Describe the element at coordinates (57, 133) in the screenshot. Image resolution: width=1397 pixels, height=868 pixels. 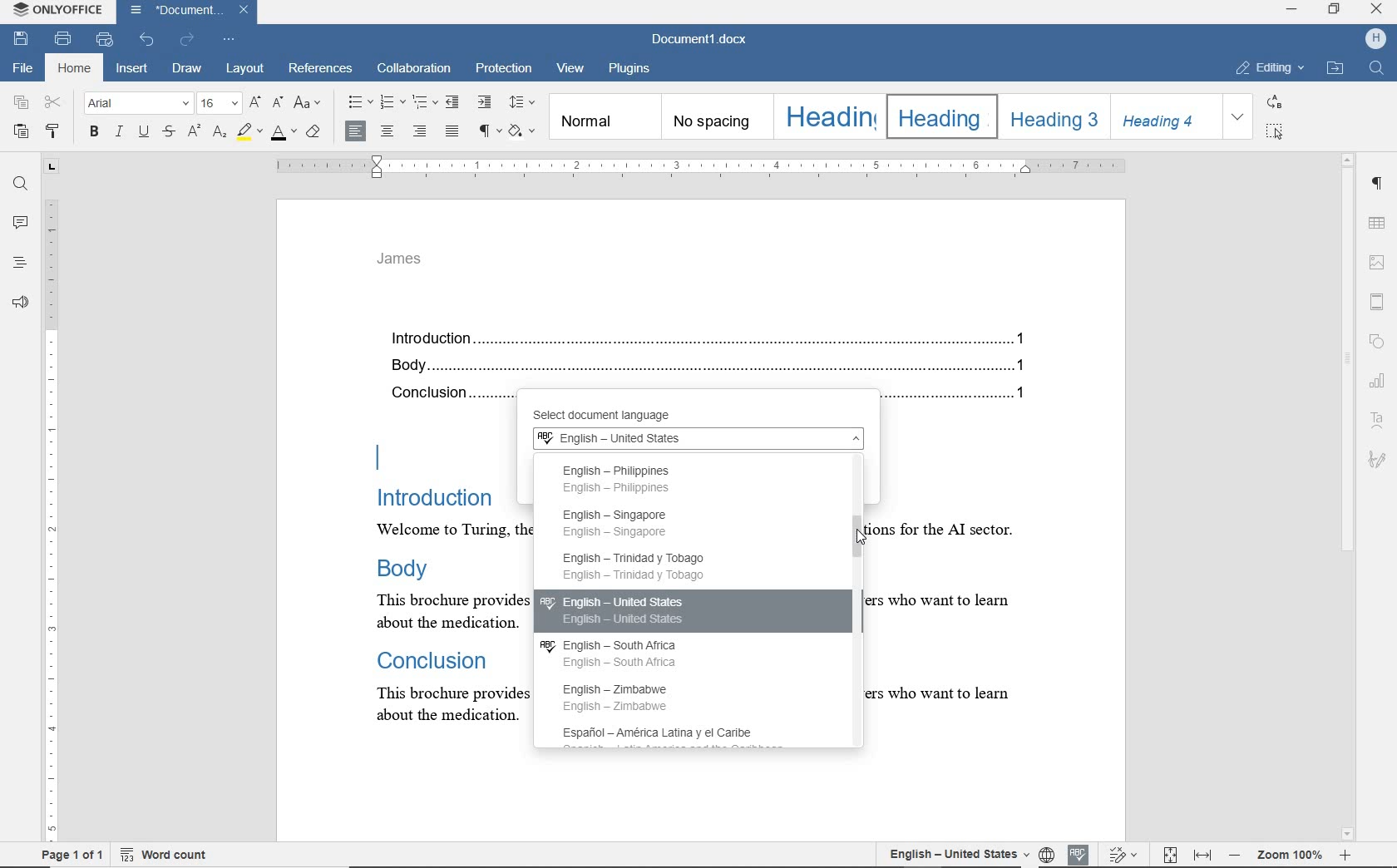
I see `copy style` at that location.